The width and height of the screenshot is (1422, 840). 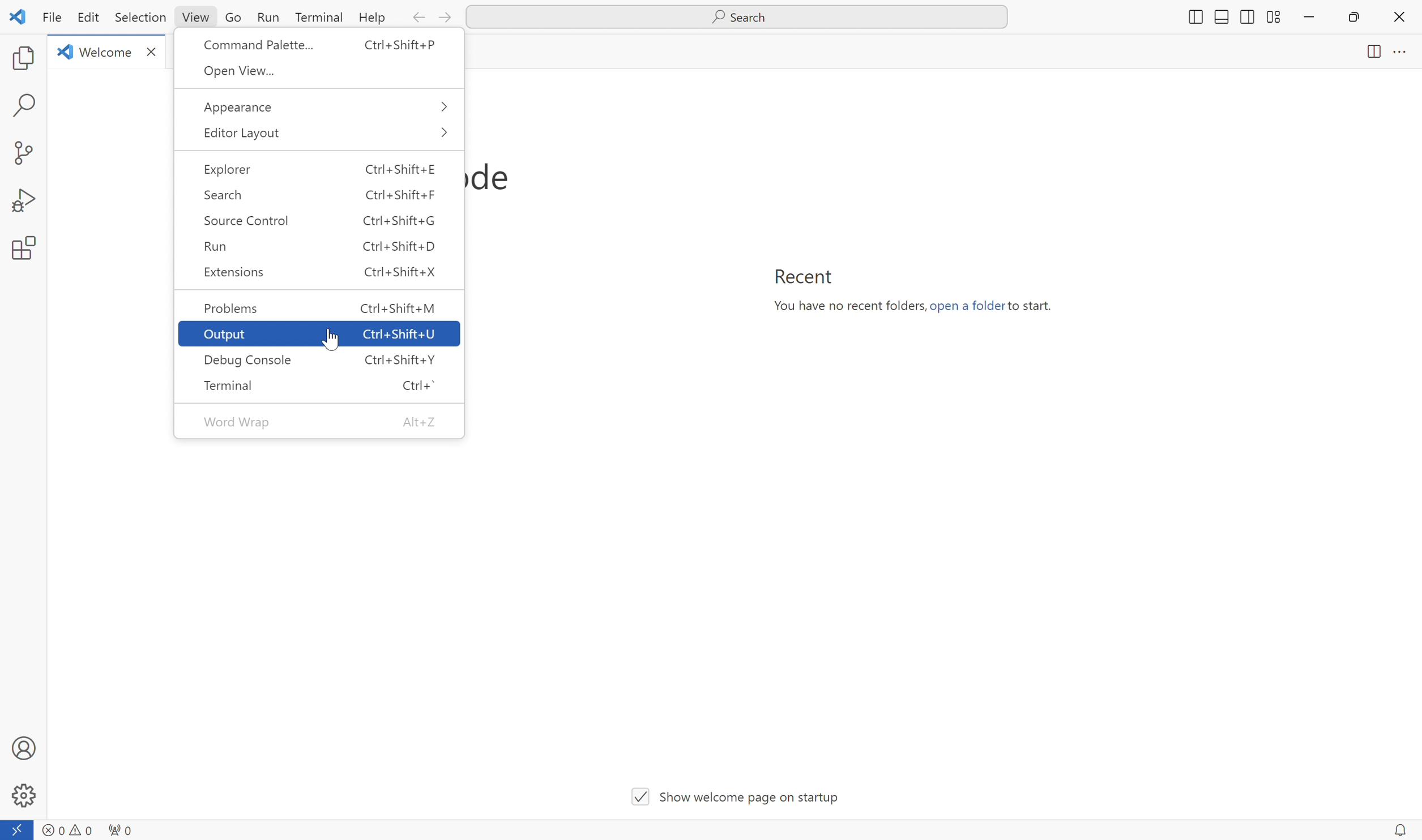 What do you see at coordinates (1405, 57) in the screenshot?
I see `menu` at bounding box center [1405, 57].